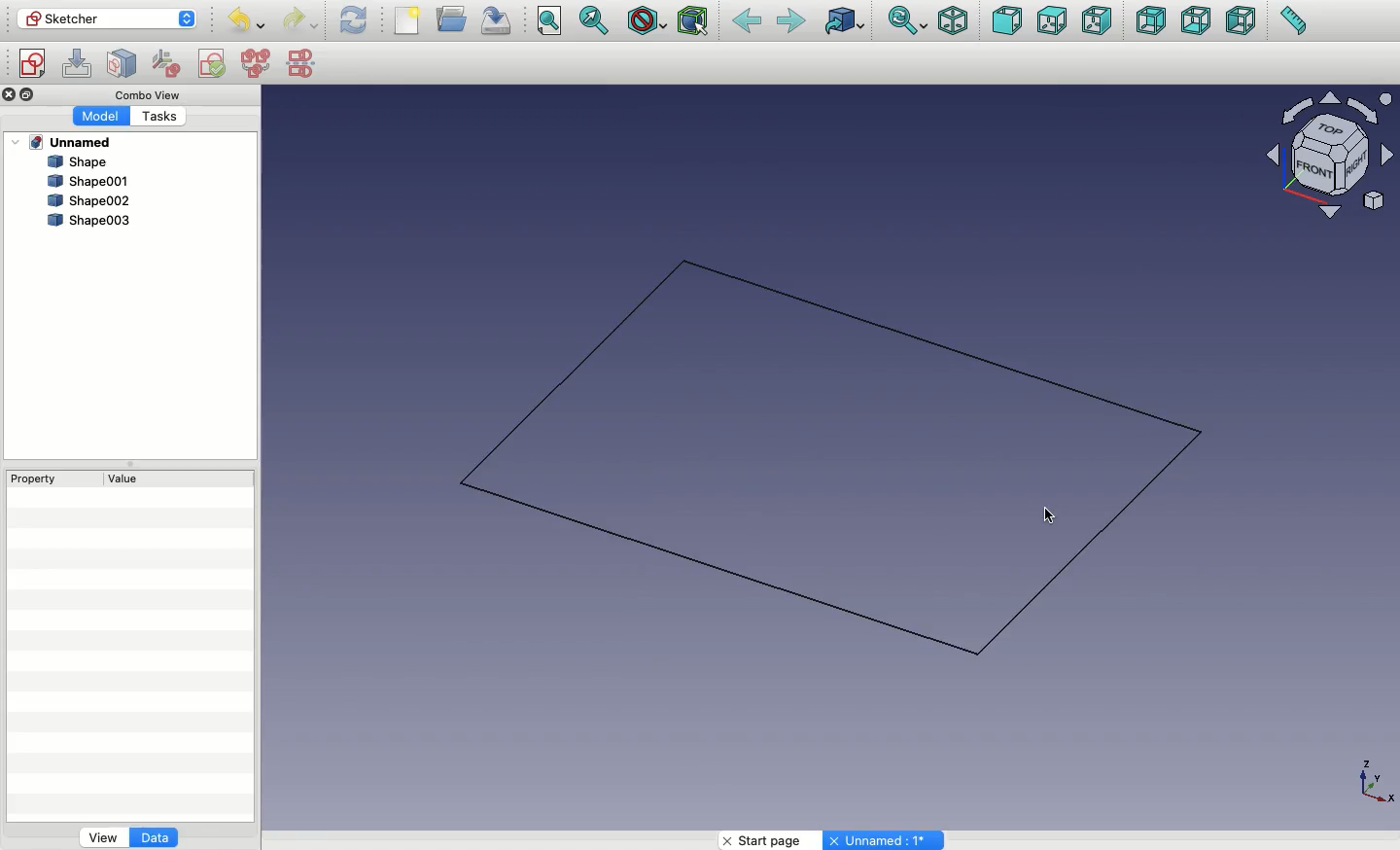 The image size is (1400, 850). What do you see at coordinates (108, 19) in the screenshot?
I see `Workbench` at bounding box center [108, 19].